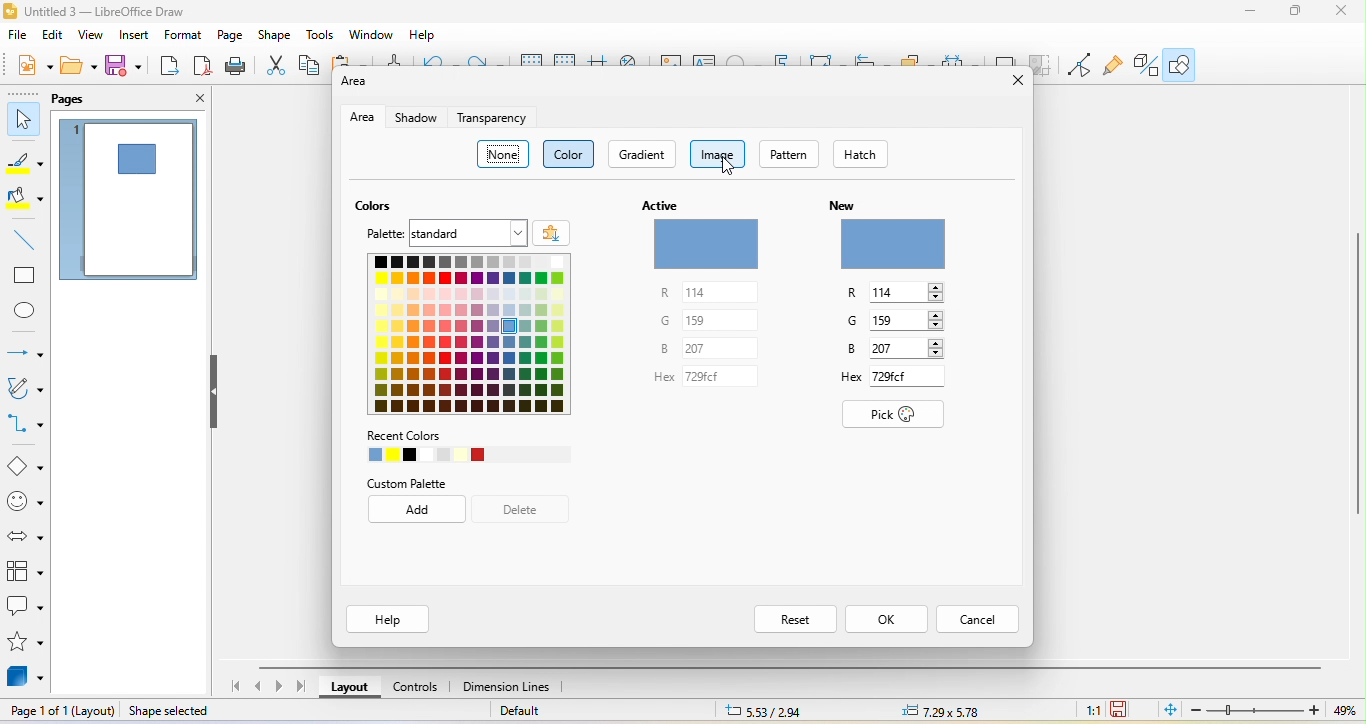  What do you see at coordinates (886, 619) in the screenshot?
I see `ok` at bounding box center [886, 619].